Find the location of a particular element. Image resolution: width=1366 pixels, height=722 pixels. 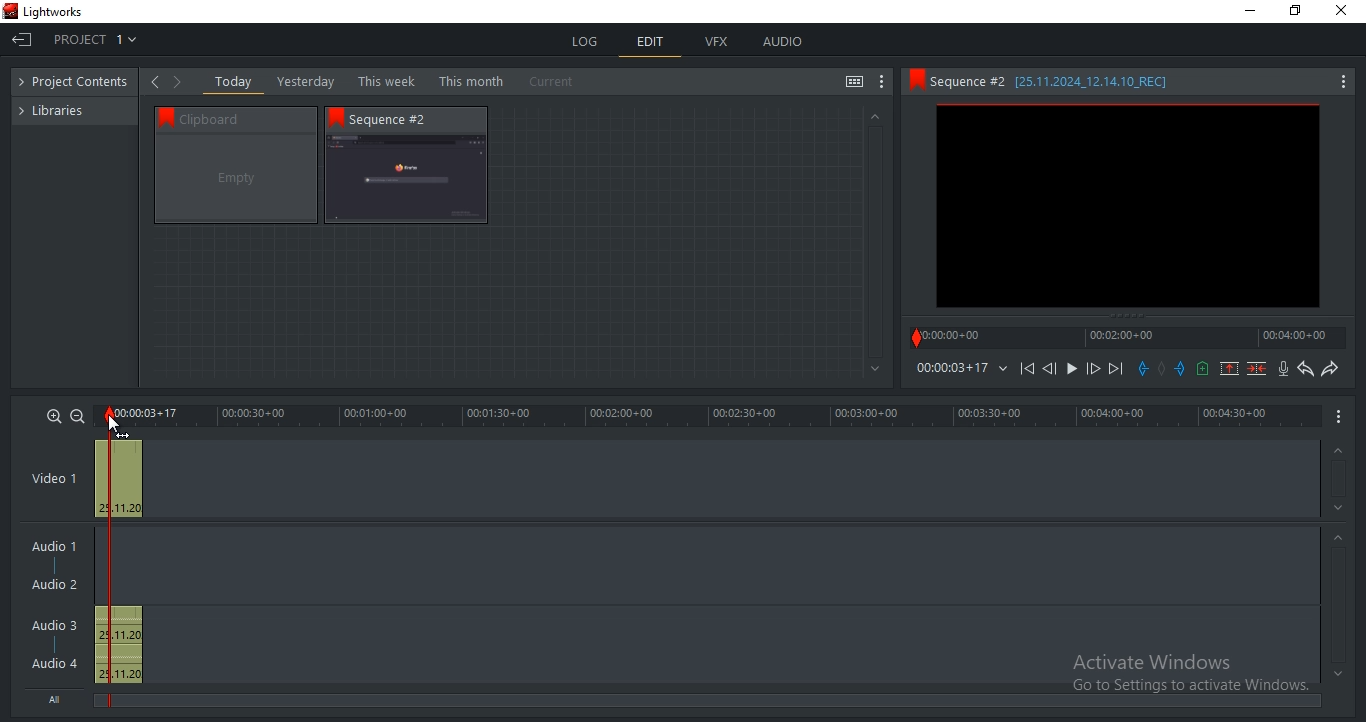

Move forward is located at coordinates (1115, 369).